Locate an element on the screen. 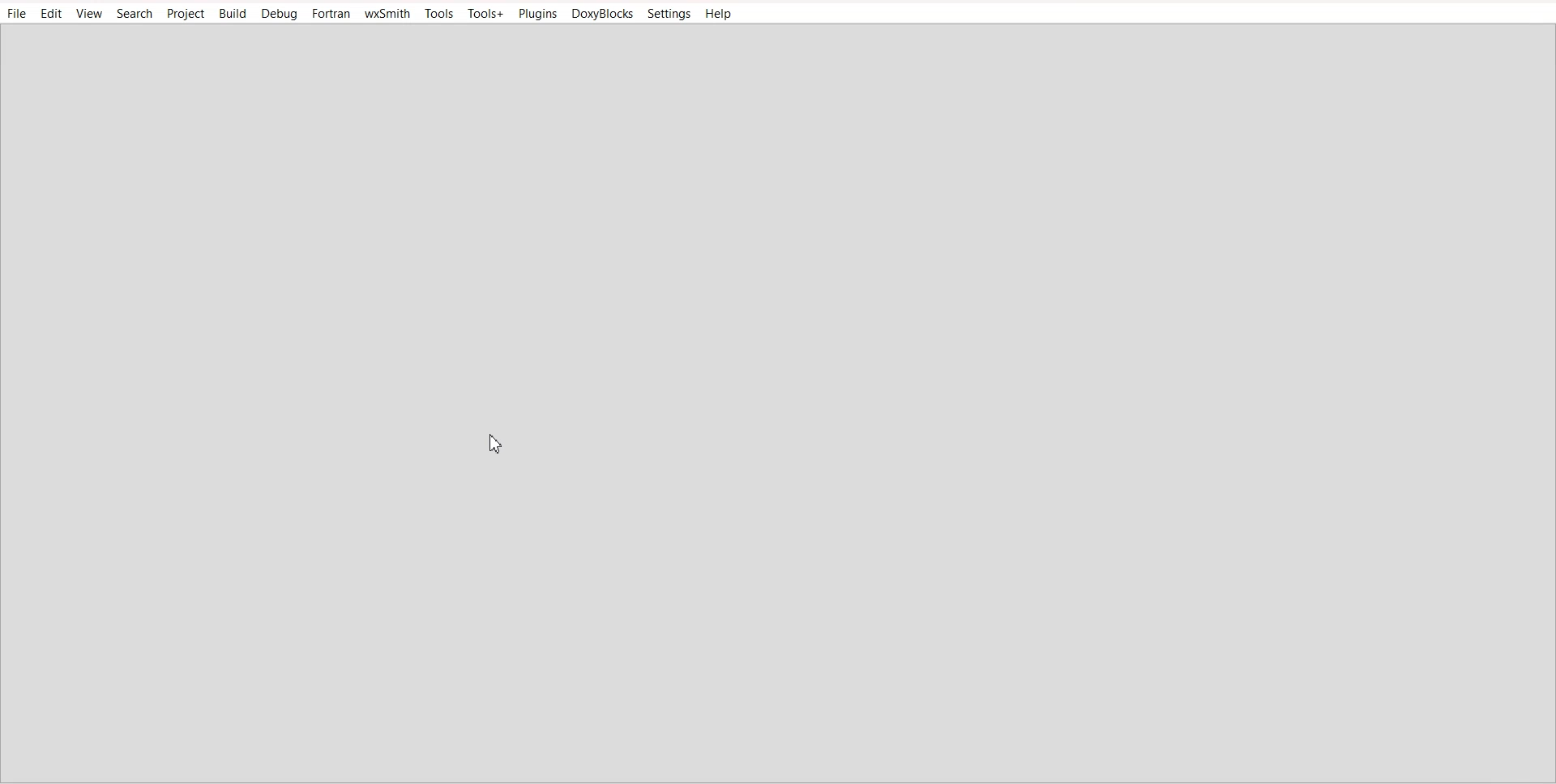 This screenshot has height=784, width=1556. Tools is located at coordinates (439, 13).